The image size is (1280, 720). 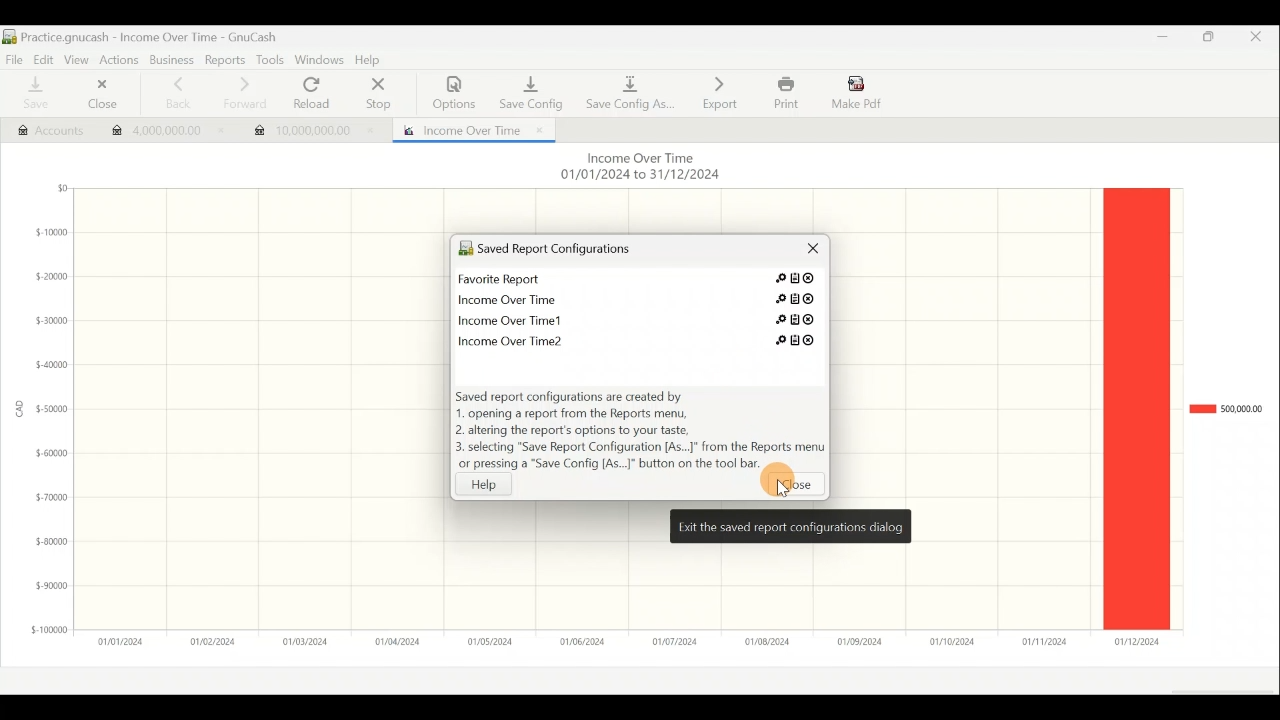 I want to click on Report 4, so click(x=632, y=338).